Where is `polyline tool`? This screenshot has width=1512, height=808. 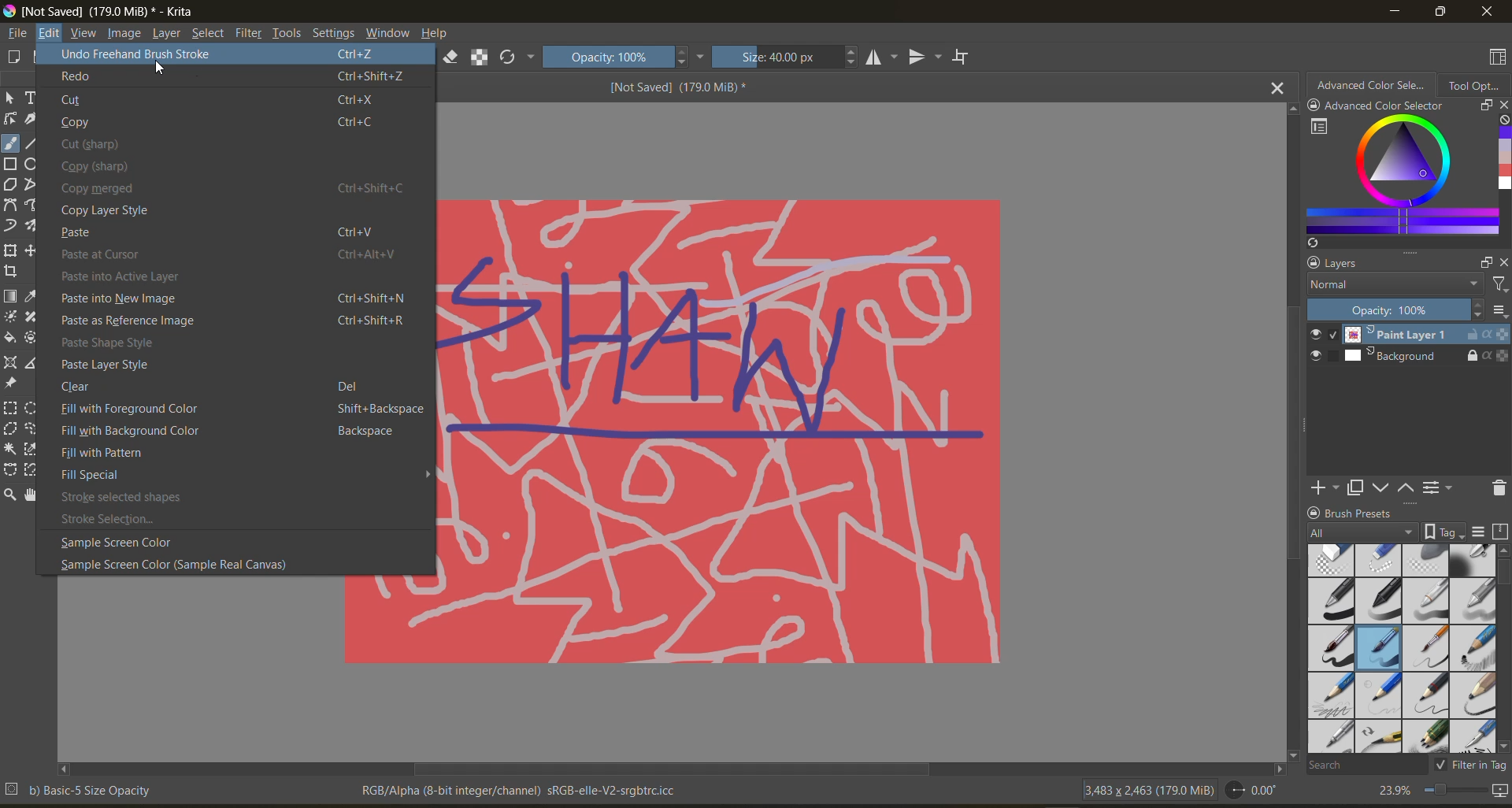 polyline tool is located at coordinates (32, 183).